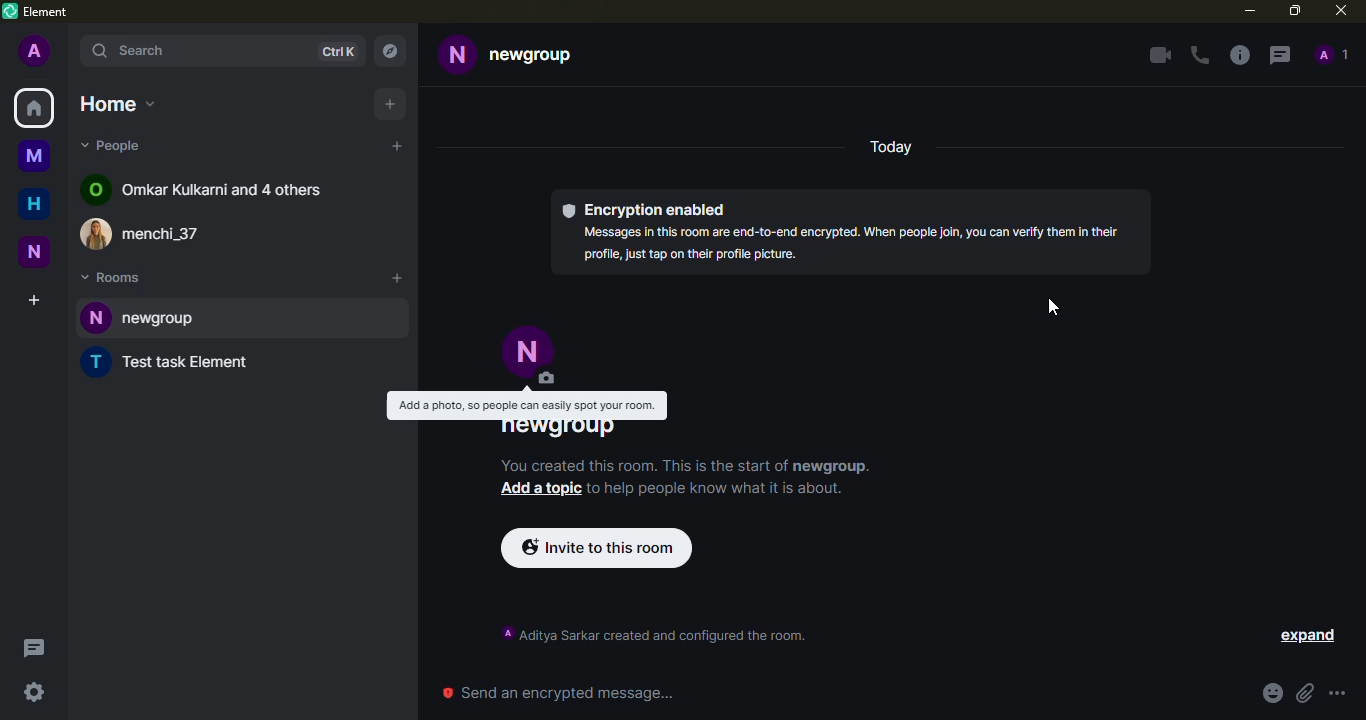 The height and width of the screenshot is (720, 1366). I want to click on myspace, so click(34, 155).